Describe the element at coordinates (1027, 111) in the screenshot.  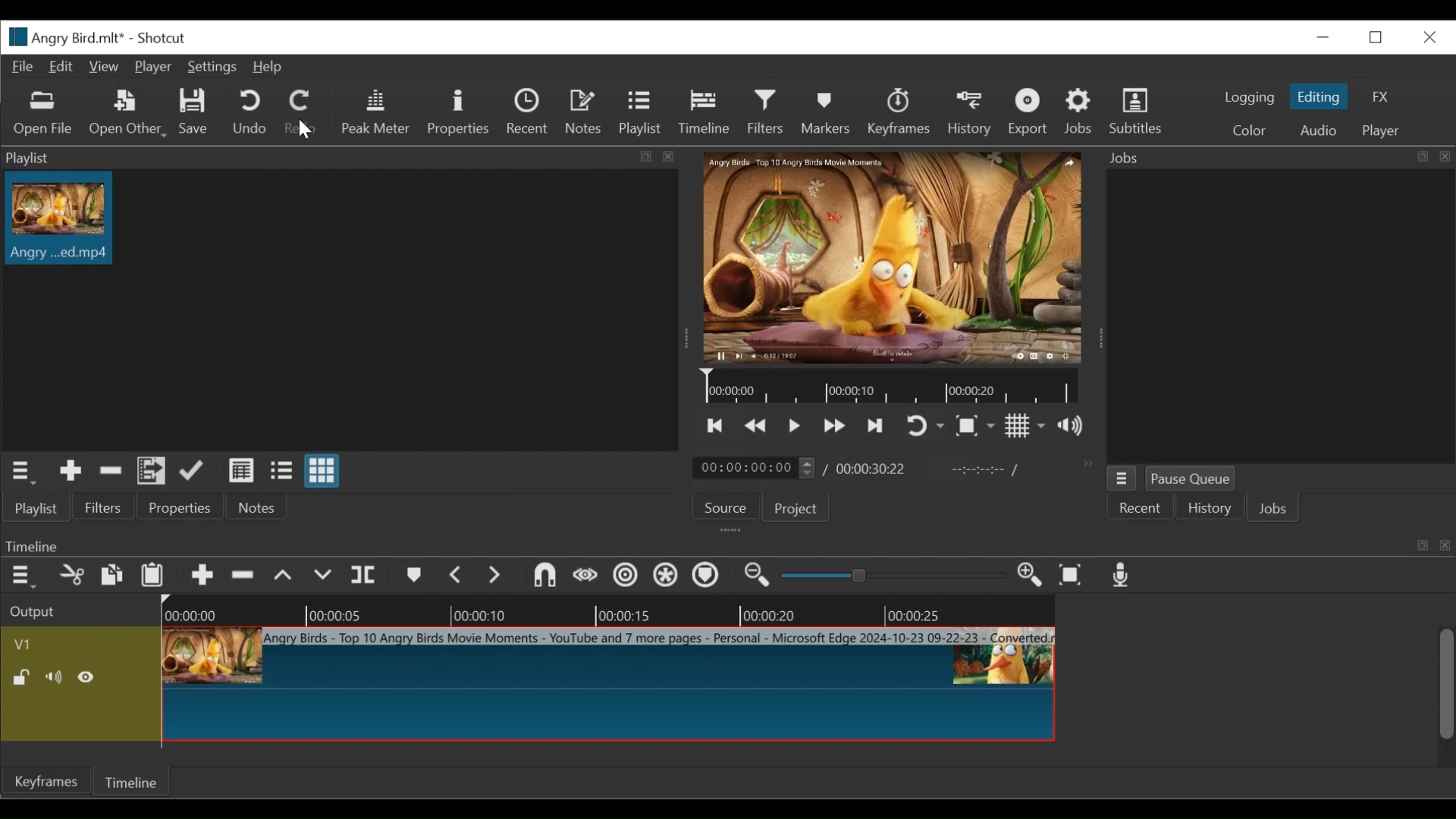
I see `Export` at that location.